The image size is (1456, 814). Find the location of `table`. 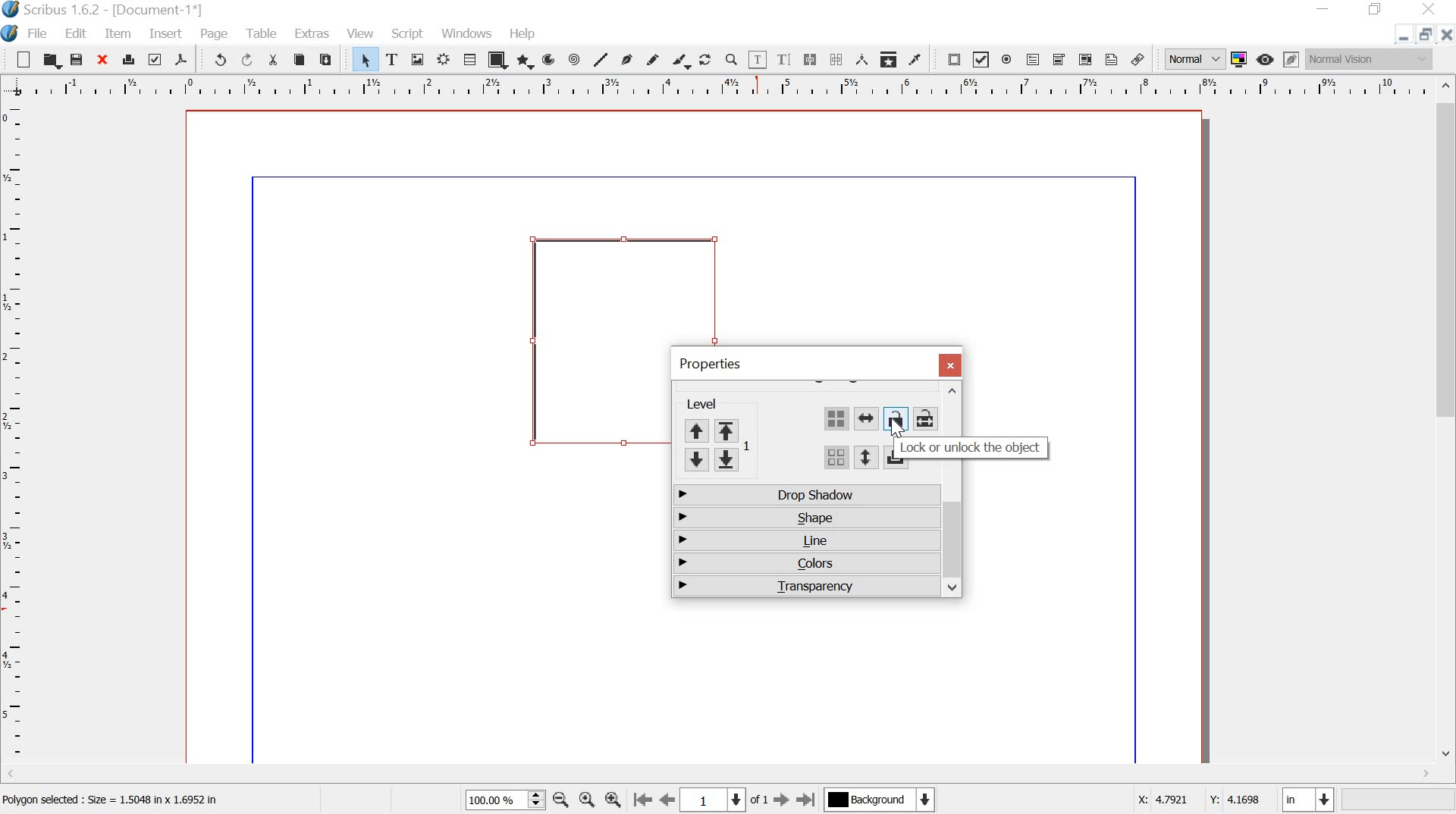

table is located at coordinates (469, 60).